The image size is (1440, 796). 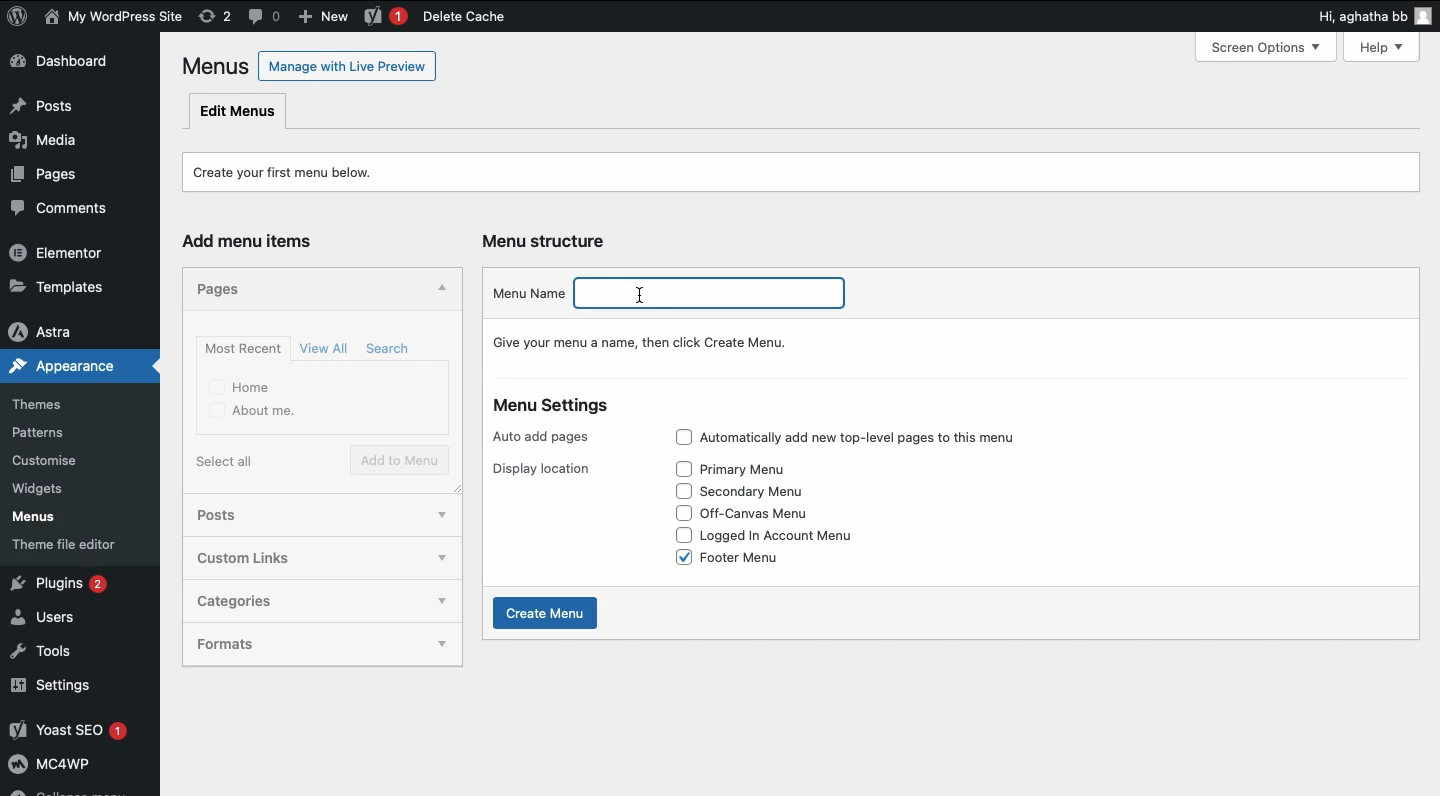 What do you see at coordinates (677, 536) in the screenshot?
I see `Check box` at bounding box center [677, 536].